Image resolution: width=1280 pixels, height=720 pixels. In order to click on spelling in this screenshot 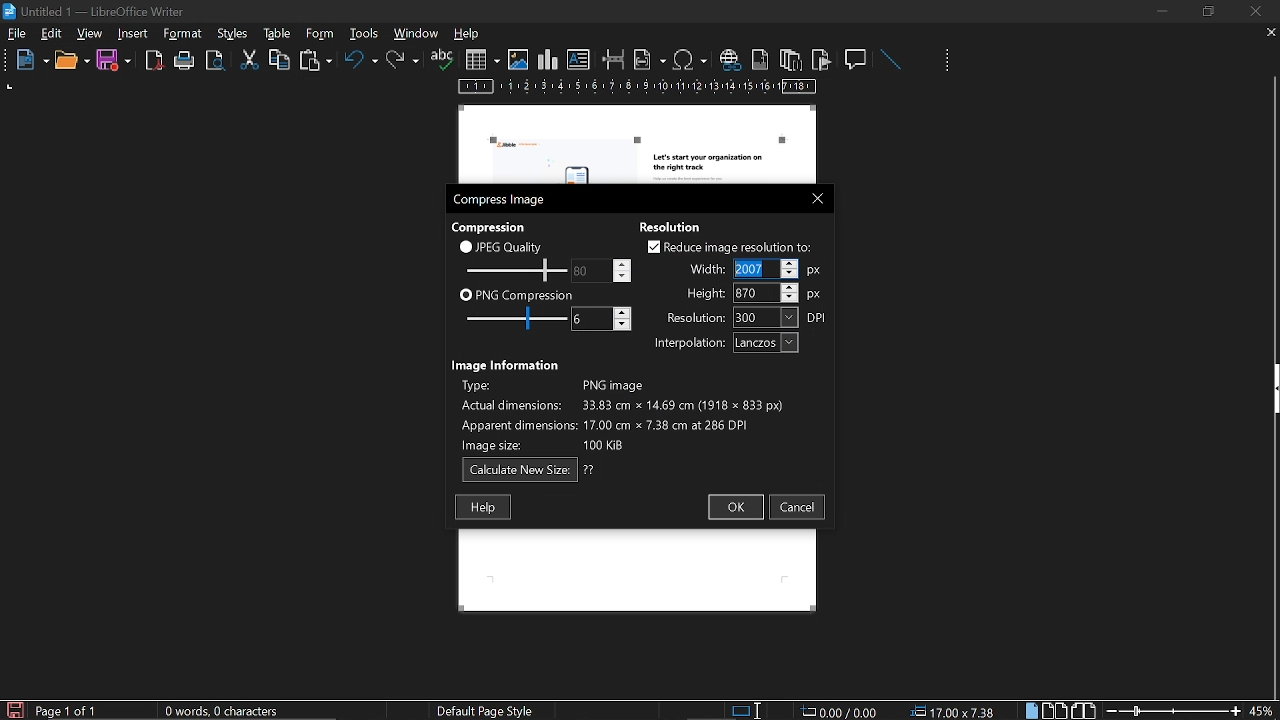, I will do `click(442, 60)`.